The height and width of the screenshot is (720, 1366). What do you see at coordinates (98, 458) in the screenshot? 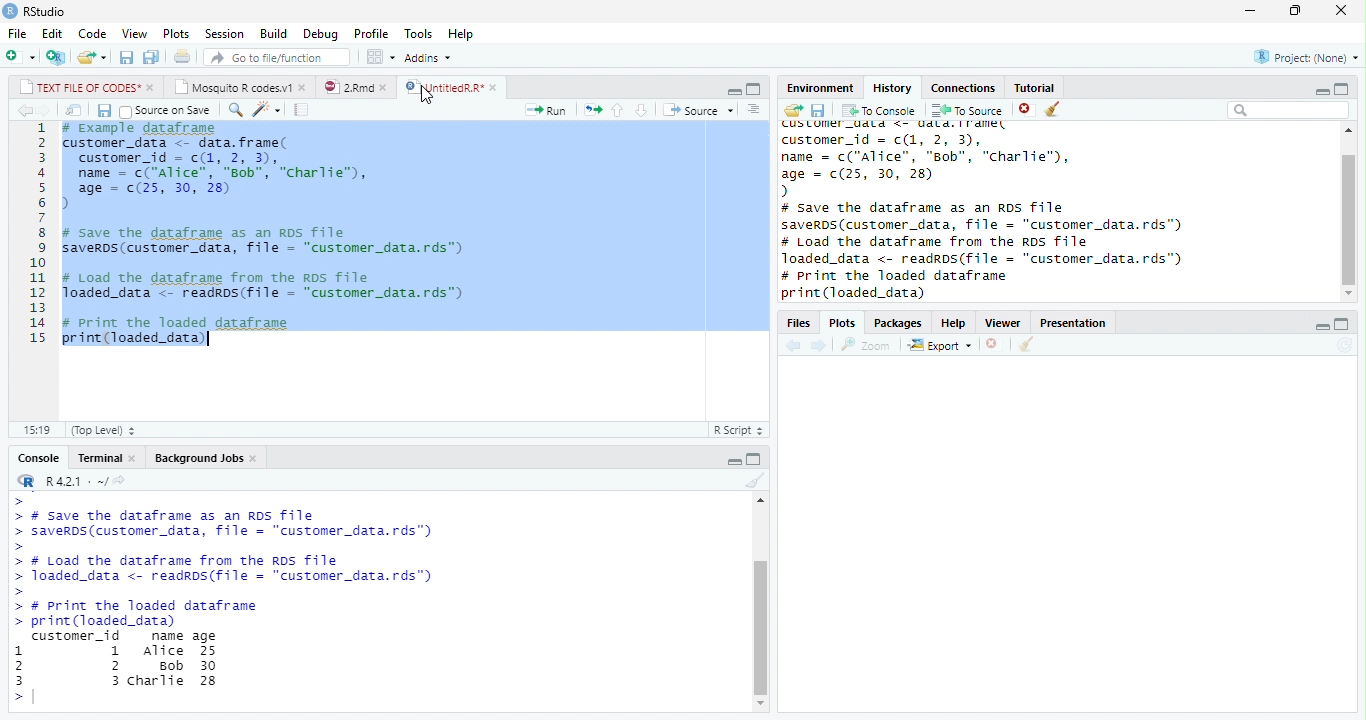
I see `Terminal` at bounding box center [98, 458].